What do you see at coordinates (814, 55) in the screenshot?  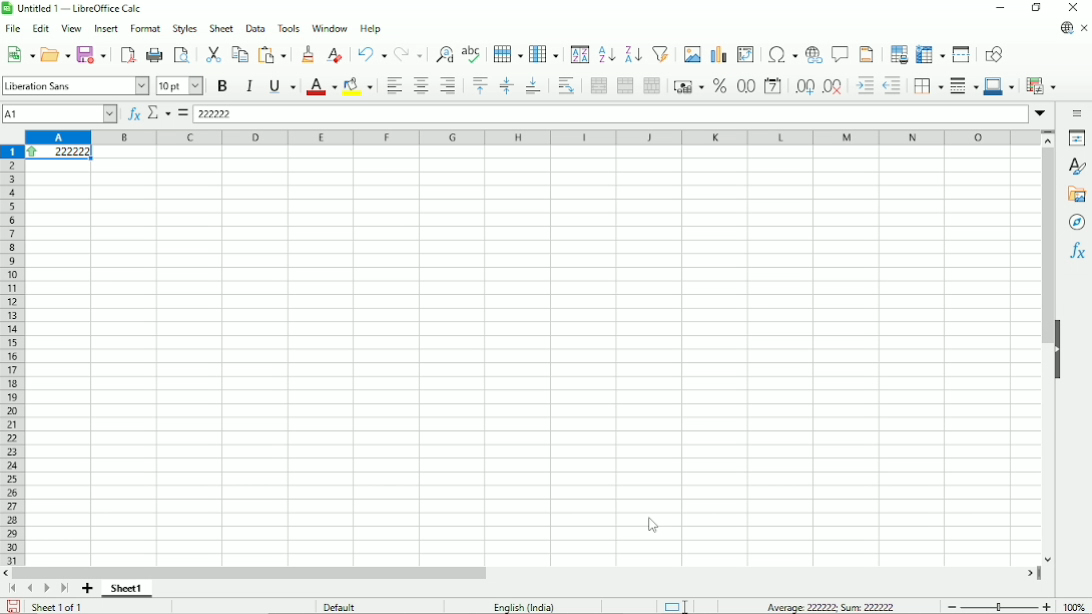 I see `Insert hyperlink` at bounding box center [814, 55].